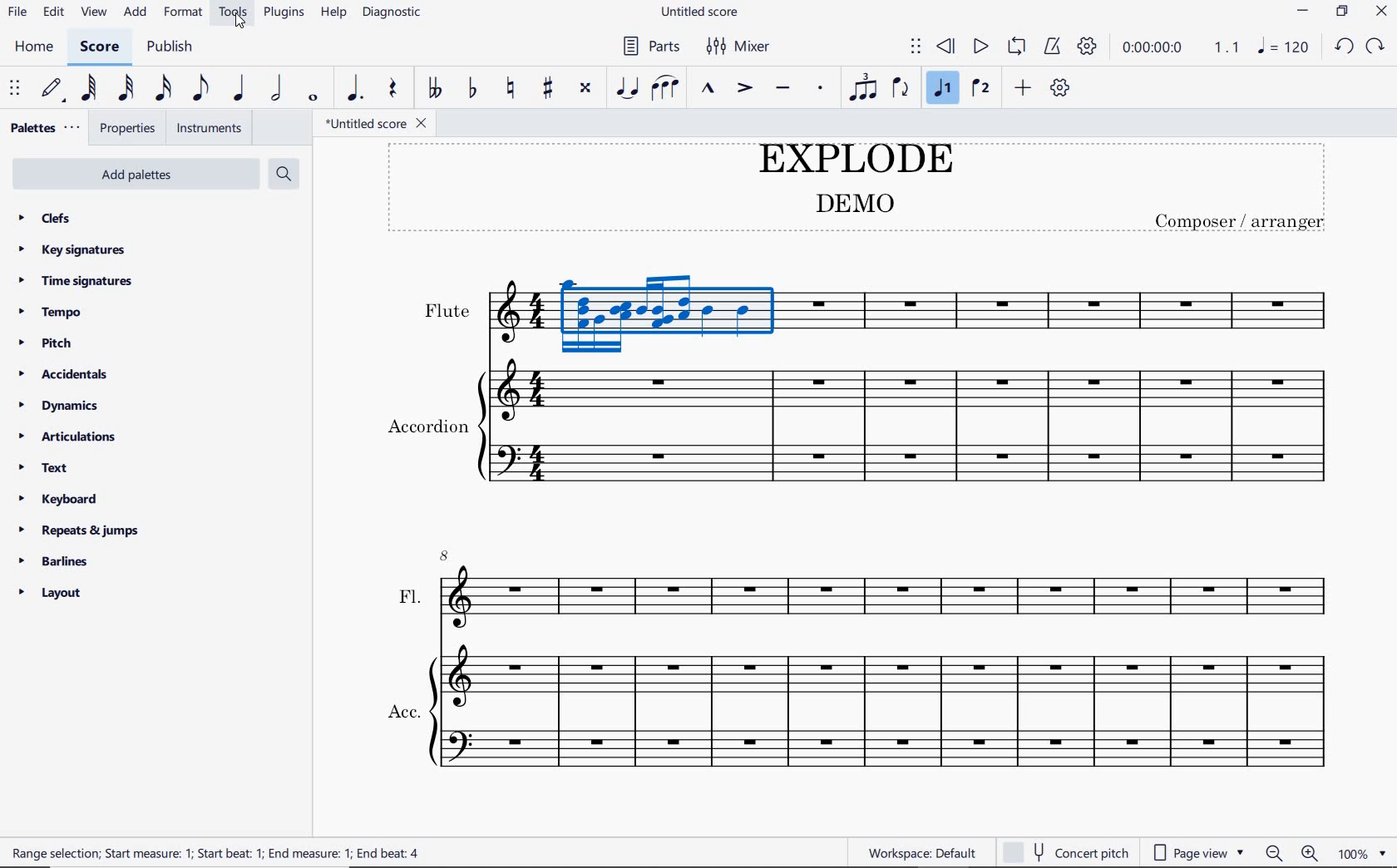 The image size is (1397, 868). Describe the element at coordinates (700, 13) in the screenshot. I see `file name` at that location.